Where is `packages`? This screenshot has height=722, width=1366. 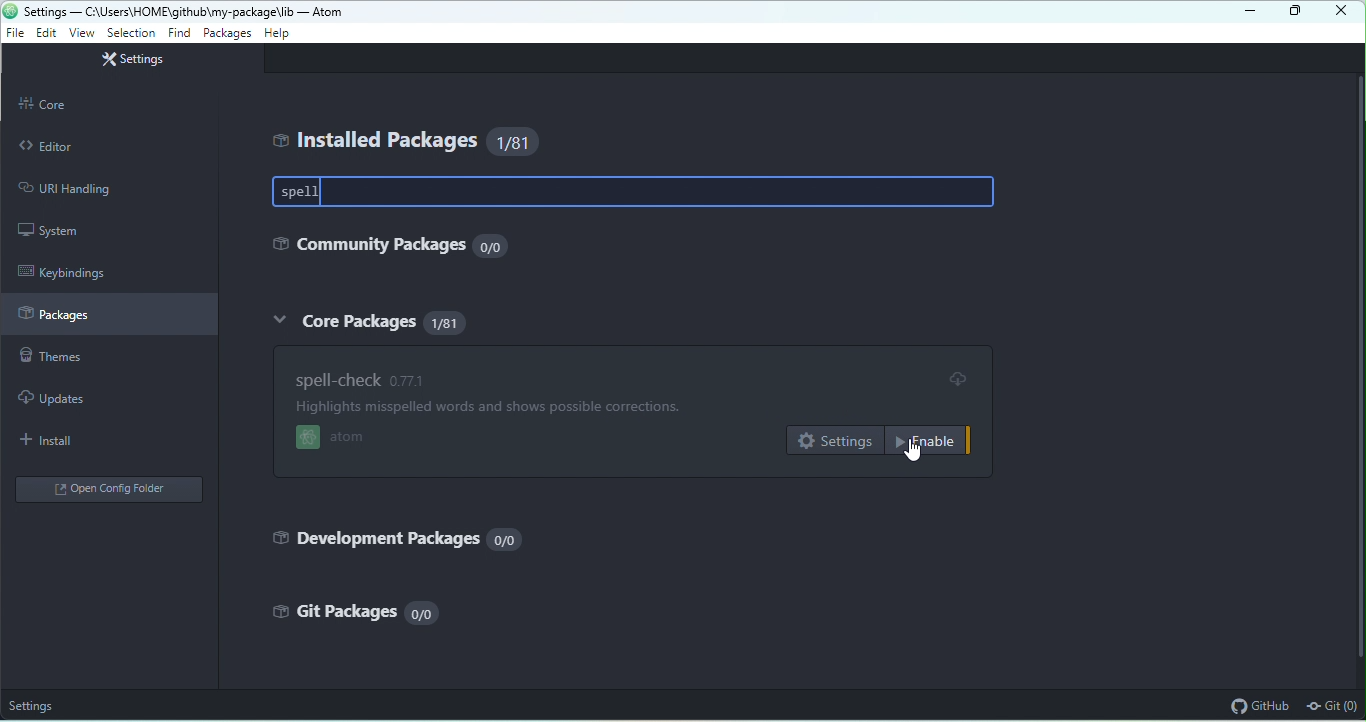 packages is located at coordinates (109, 316).